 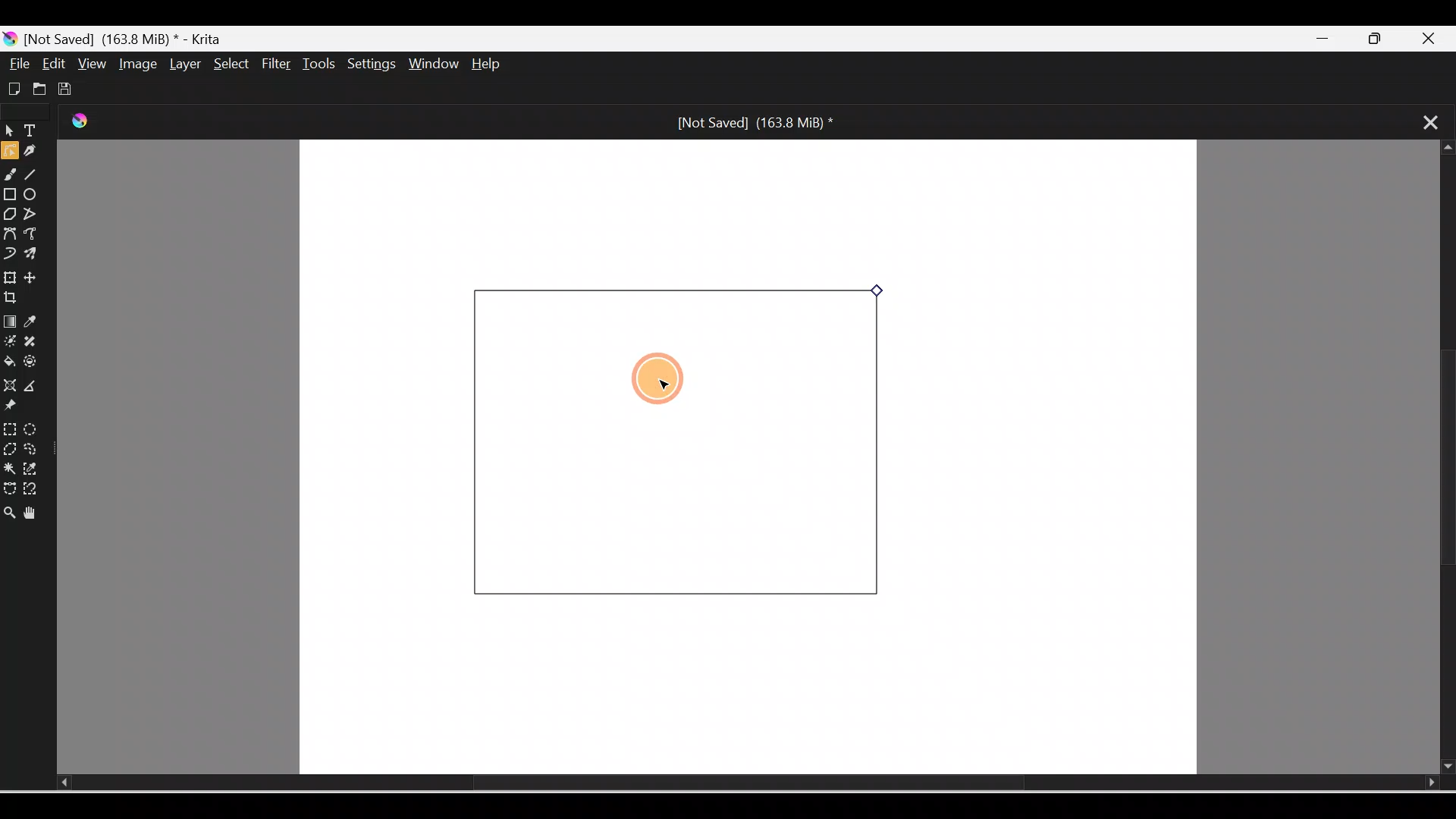 What do you see at coordinates (17, 298) in the screenshot?
I see `Crop an image` at bounding box center [17, 298].